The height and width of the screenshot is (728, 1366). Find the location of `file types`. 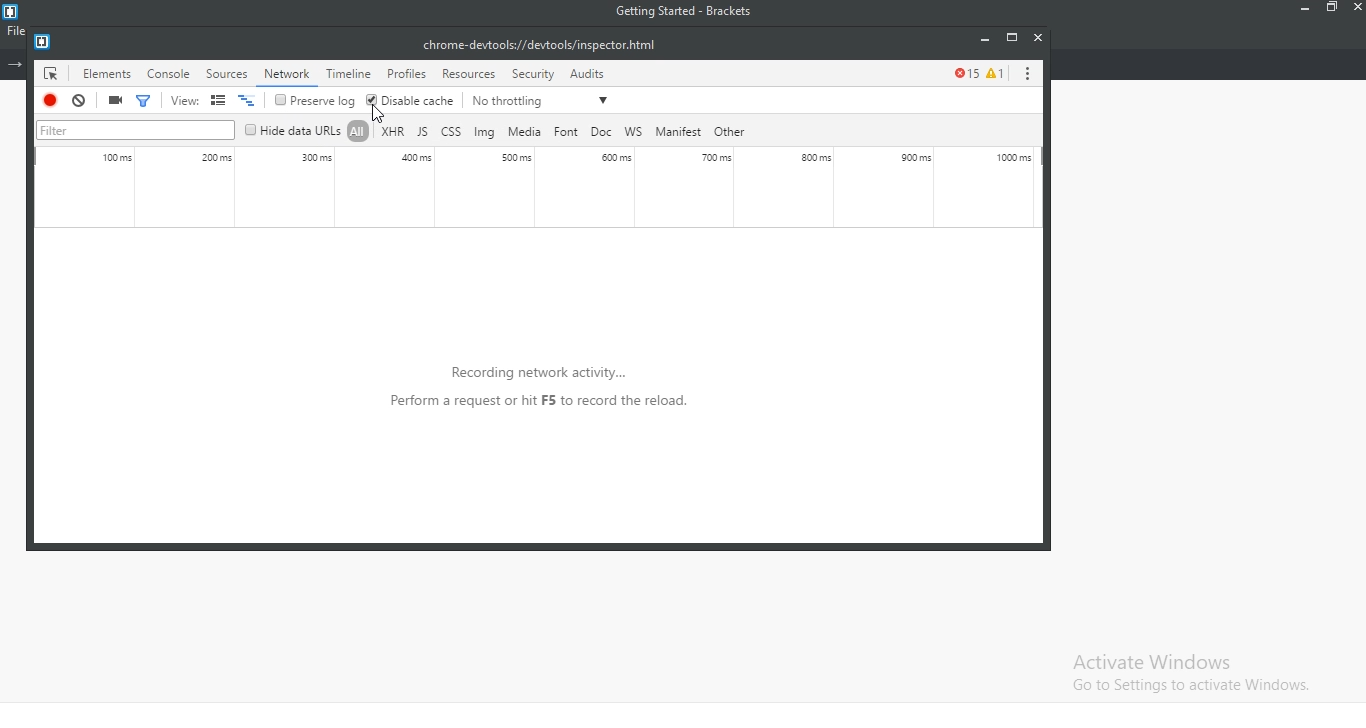

file types is located at coordinates (556, 131).